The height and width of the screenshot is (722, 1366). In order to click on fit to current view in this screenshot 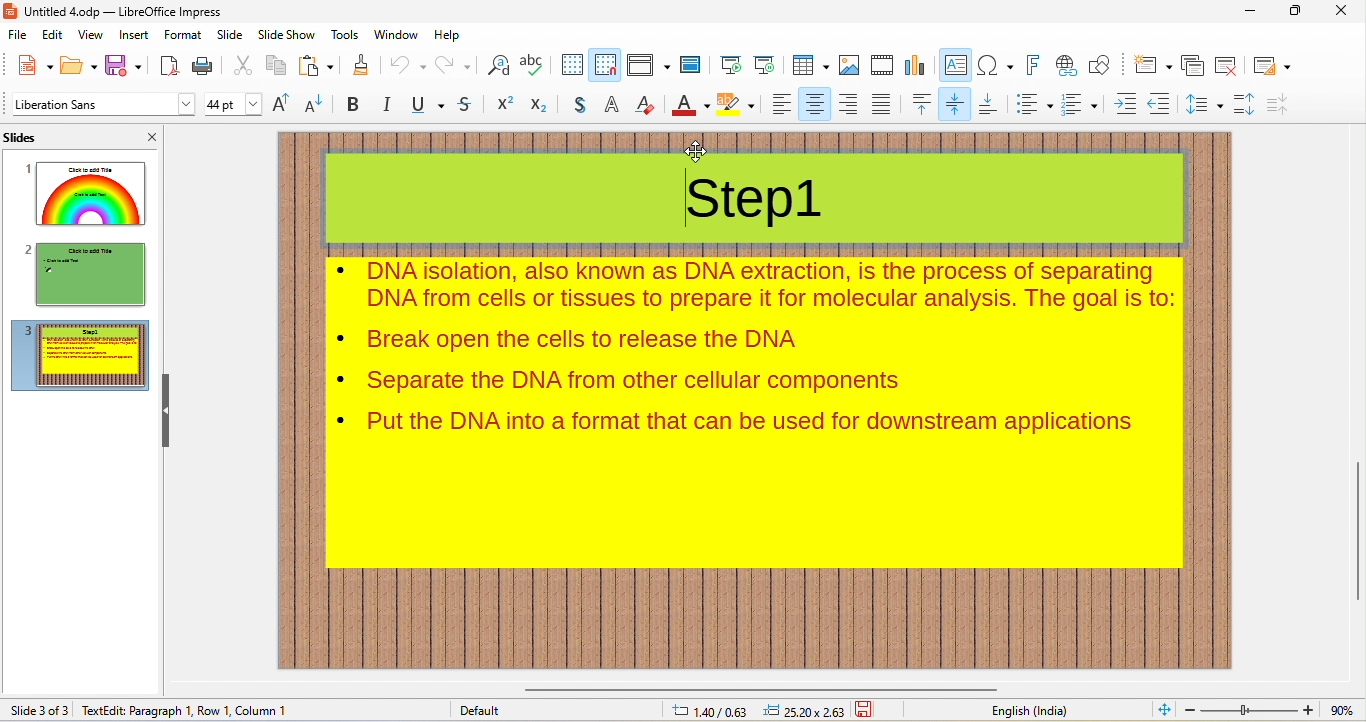, I will do `click(1165, 708)`.